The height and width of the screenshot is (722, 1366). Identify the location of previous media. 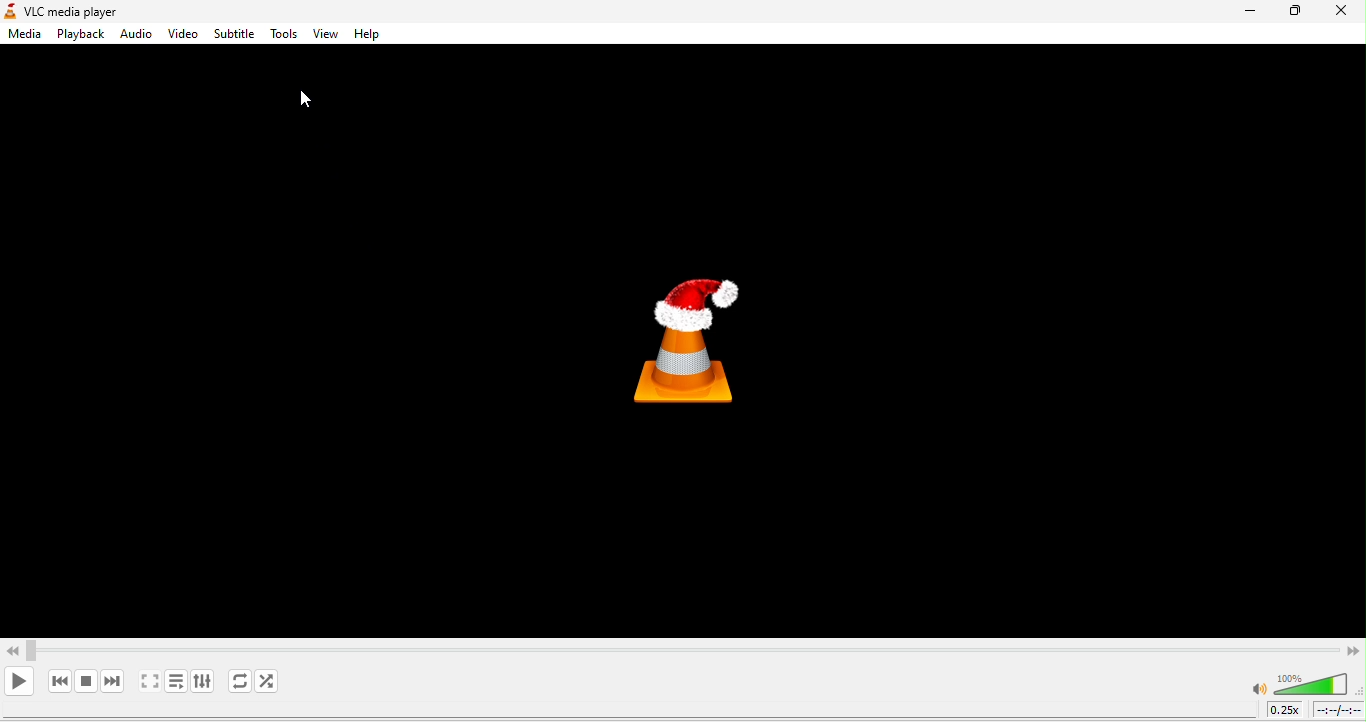
(58, 681).